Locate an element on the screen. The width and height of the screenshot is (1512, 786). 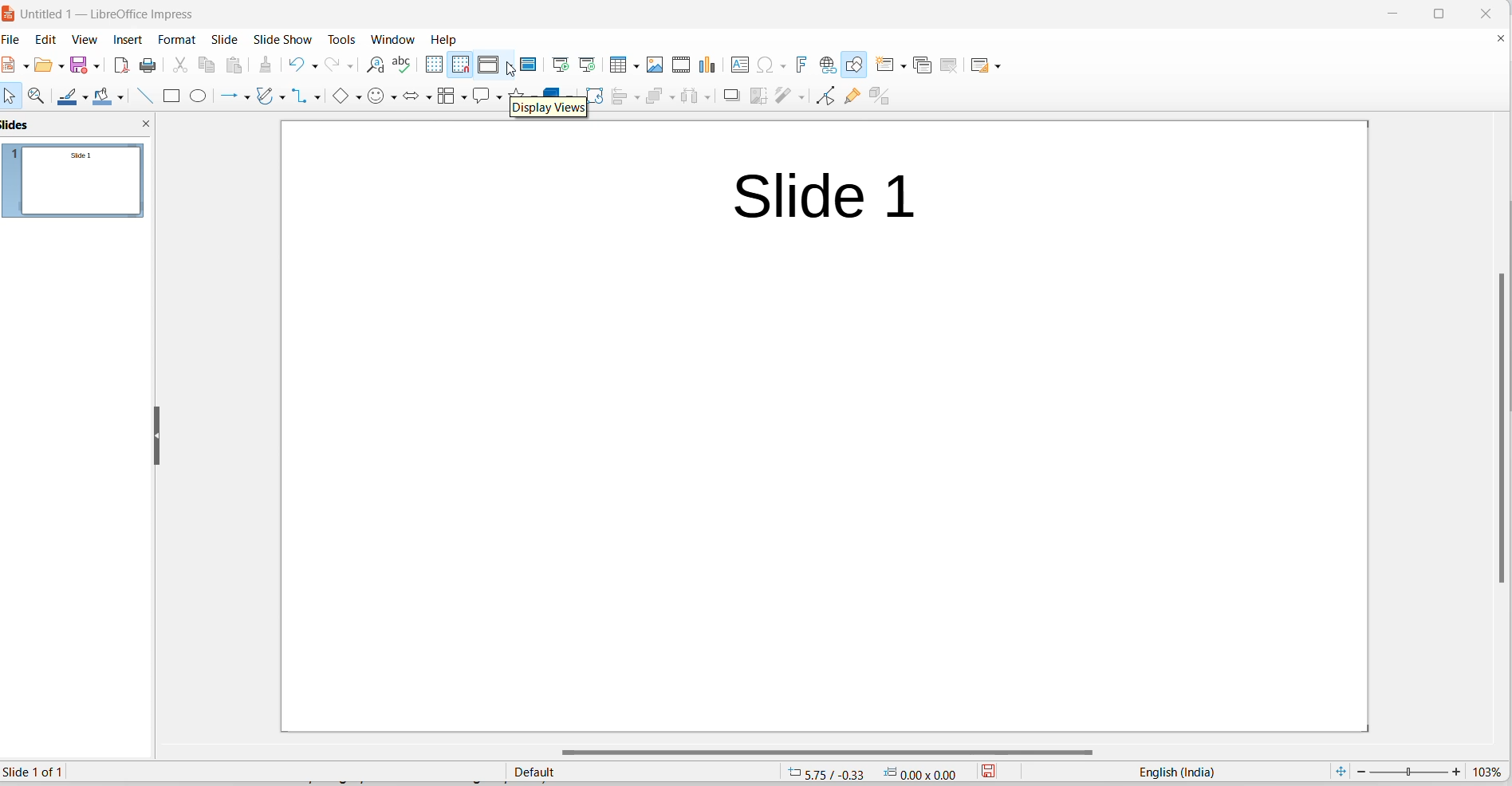
shadow is located at coordinates (730, 96).